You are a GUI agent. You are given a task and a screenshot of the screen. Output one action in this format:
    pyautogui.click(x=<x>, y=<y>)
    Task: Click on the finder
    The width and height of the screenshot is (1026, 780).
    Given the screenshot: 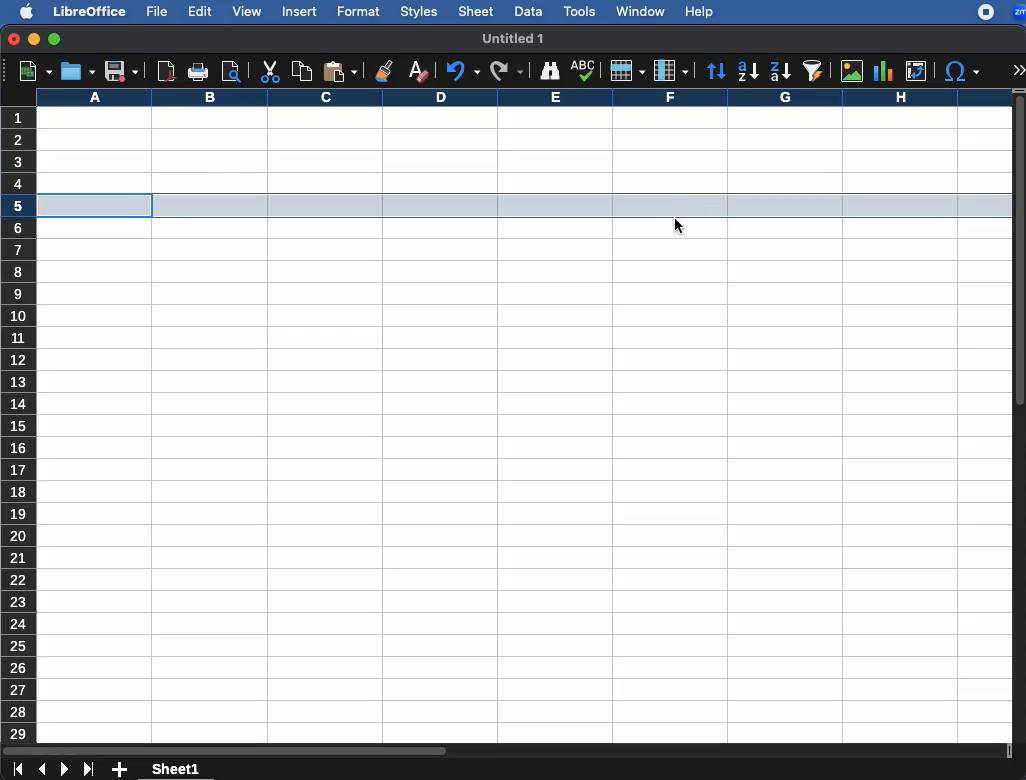 What is the action you would take?
    pyautogui.click(x=550, y=71)
    